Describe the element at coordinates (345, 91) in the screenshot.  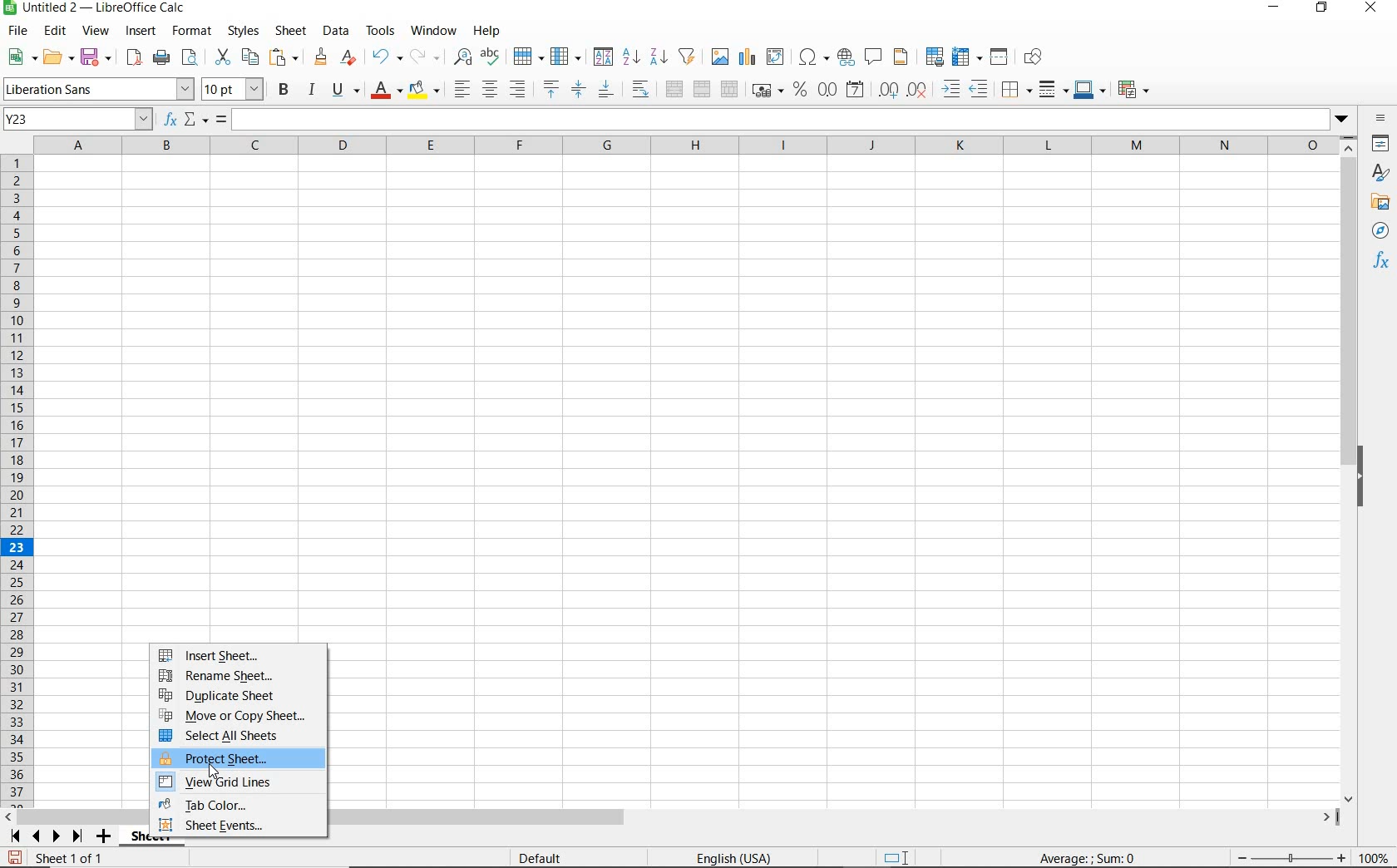
I see `UNDERLINE` at that location.